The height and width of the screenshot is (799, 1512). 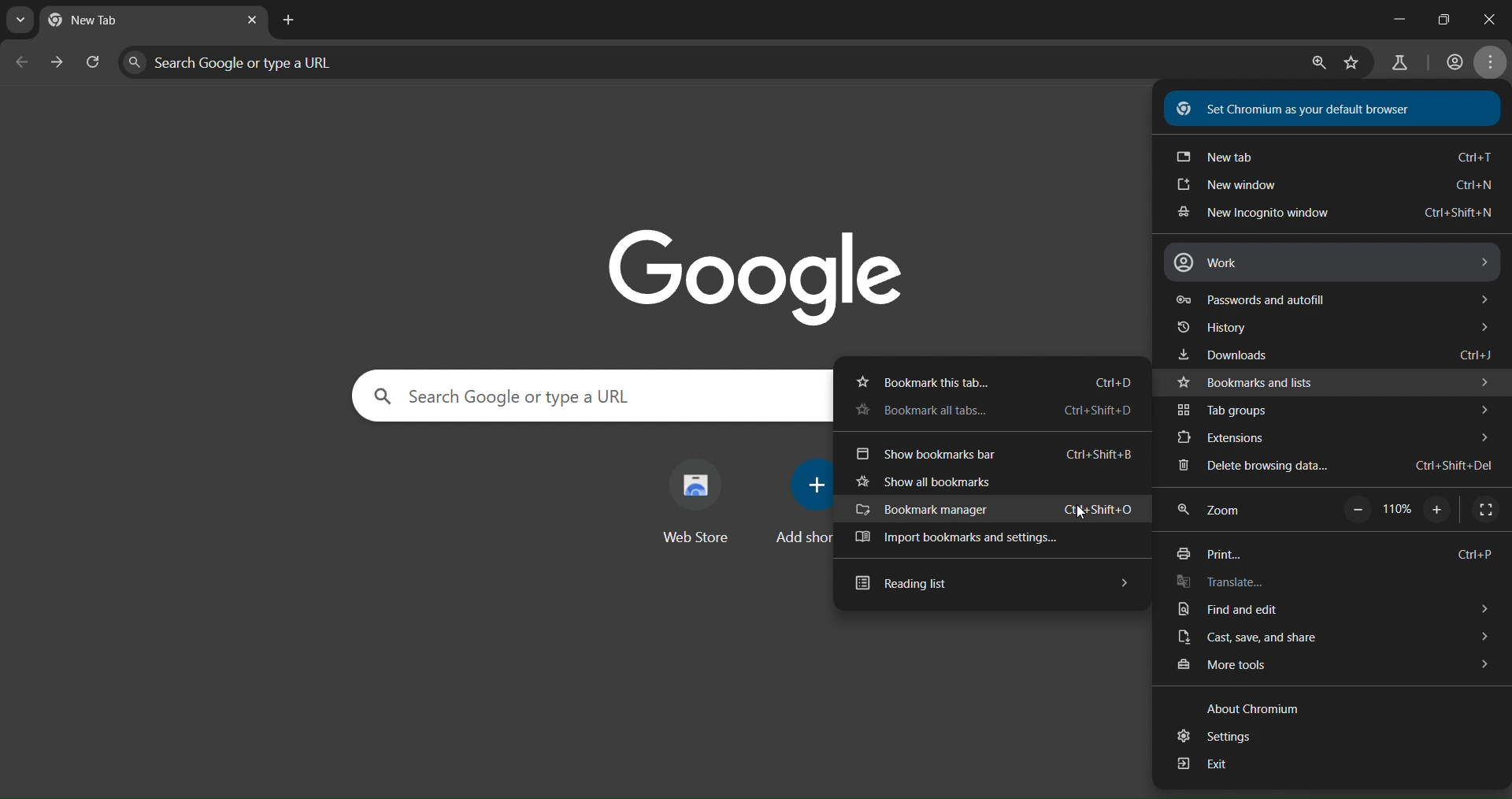 What do you see at coordinates (1329, 187) in the screenshot?
I see `new window` at bounding box center [1329, 187].